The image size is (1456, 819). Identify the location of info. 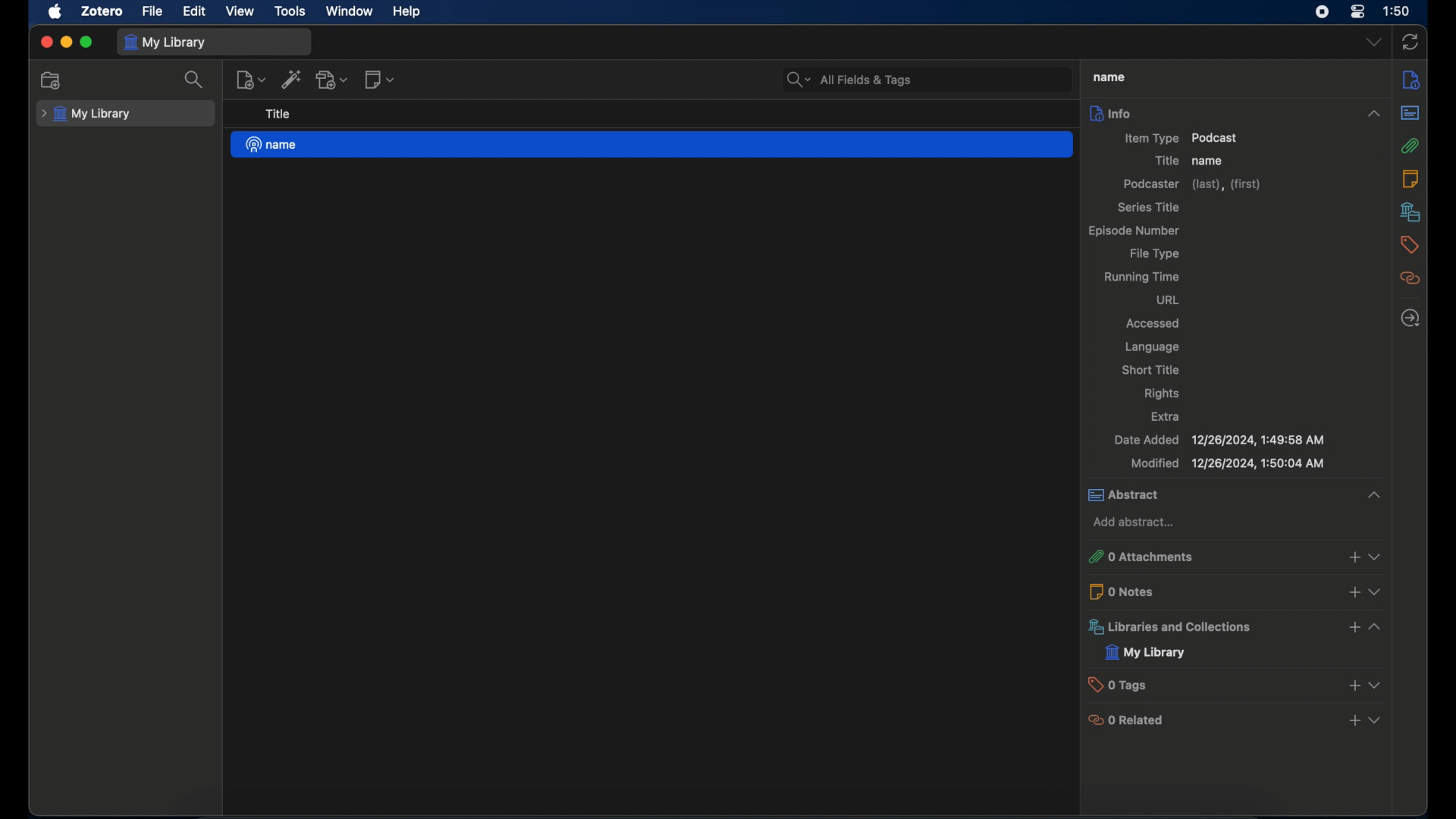
(1238, 112).